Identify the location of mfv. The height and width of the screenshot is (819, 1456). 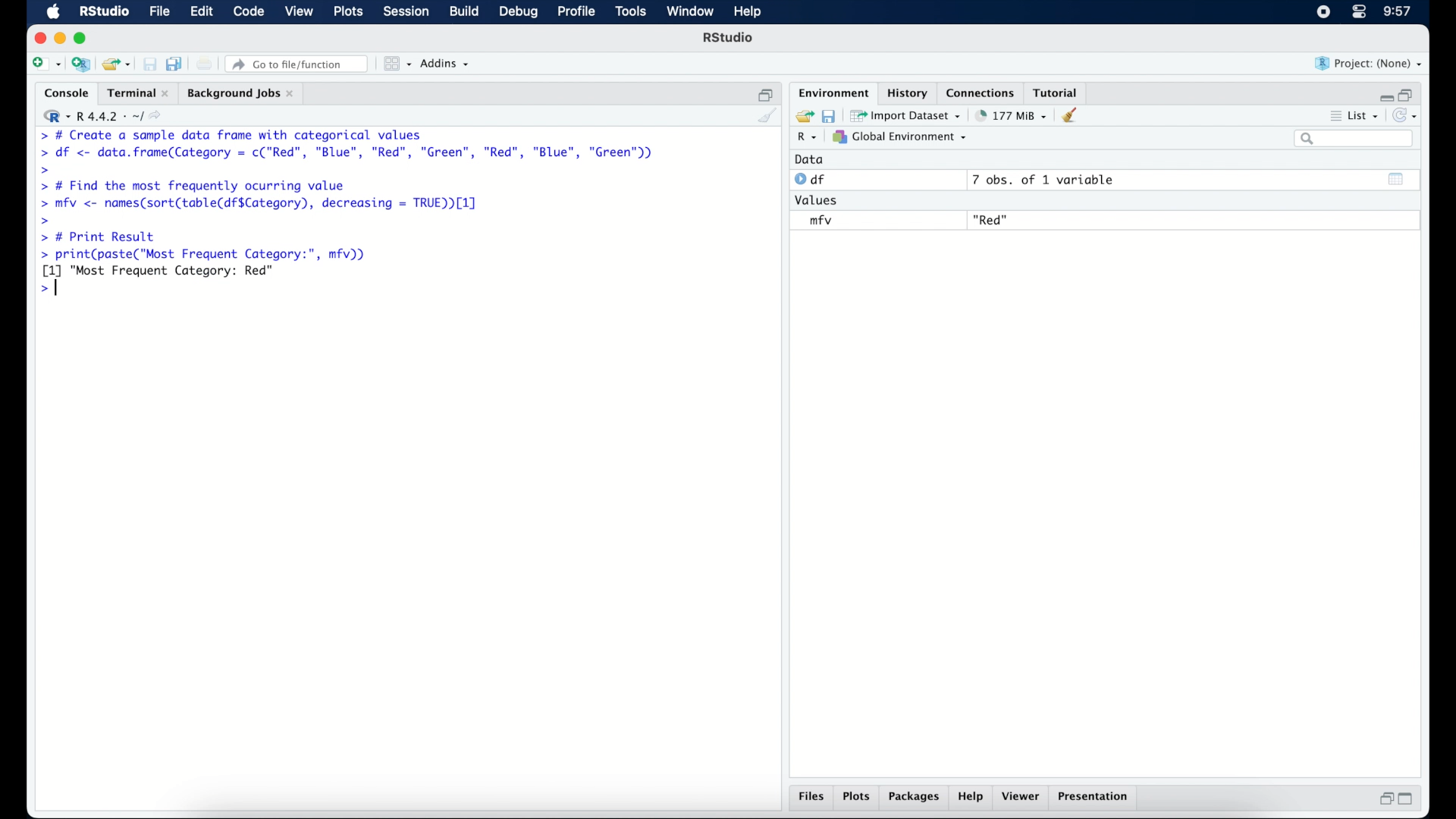
(821, 220).